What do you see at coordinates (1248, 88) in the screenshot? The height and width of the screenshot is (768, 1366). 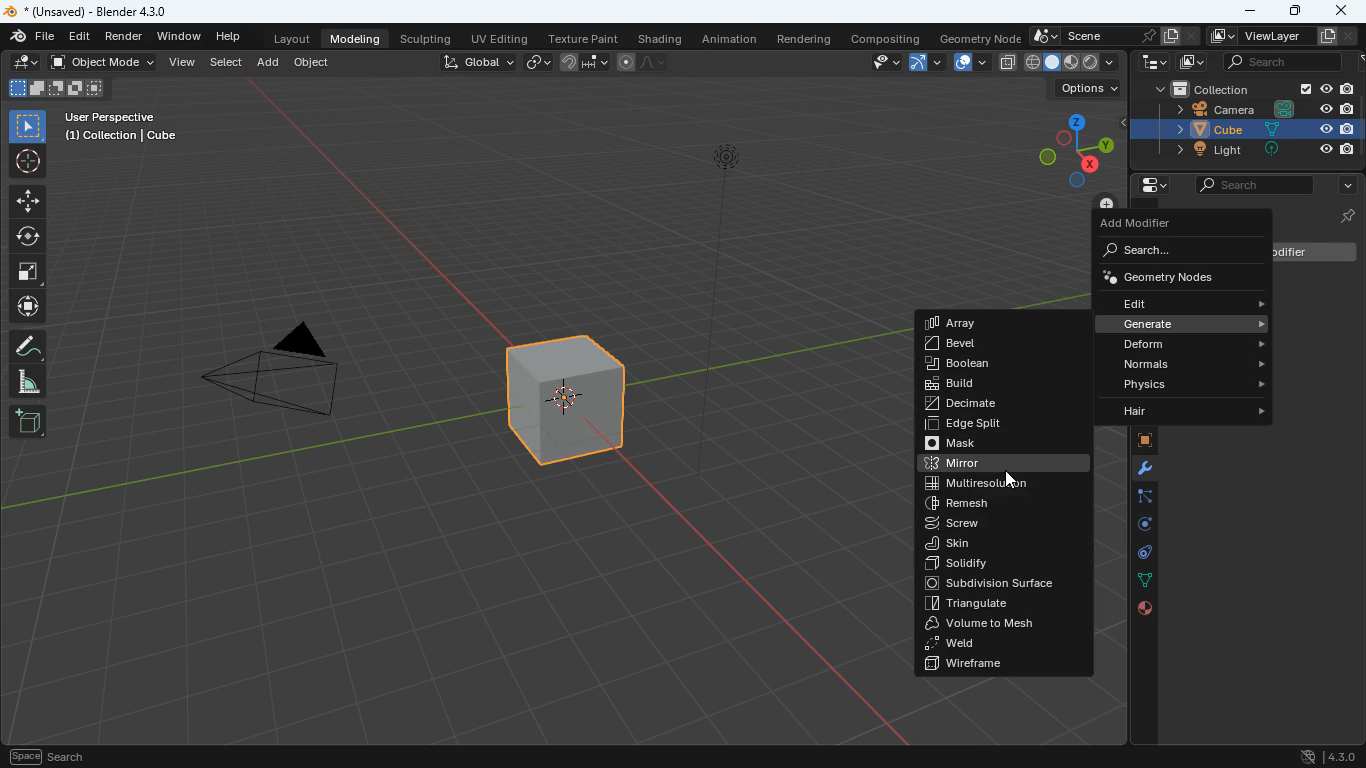 I see `collection` at bounding box center [1248, 88].